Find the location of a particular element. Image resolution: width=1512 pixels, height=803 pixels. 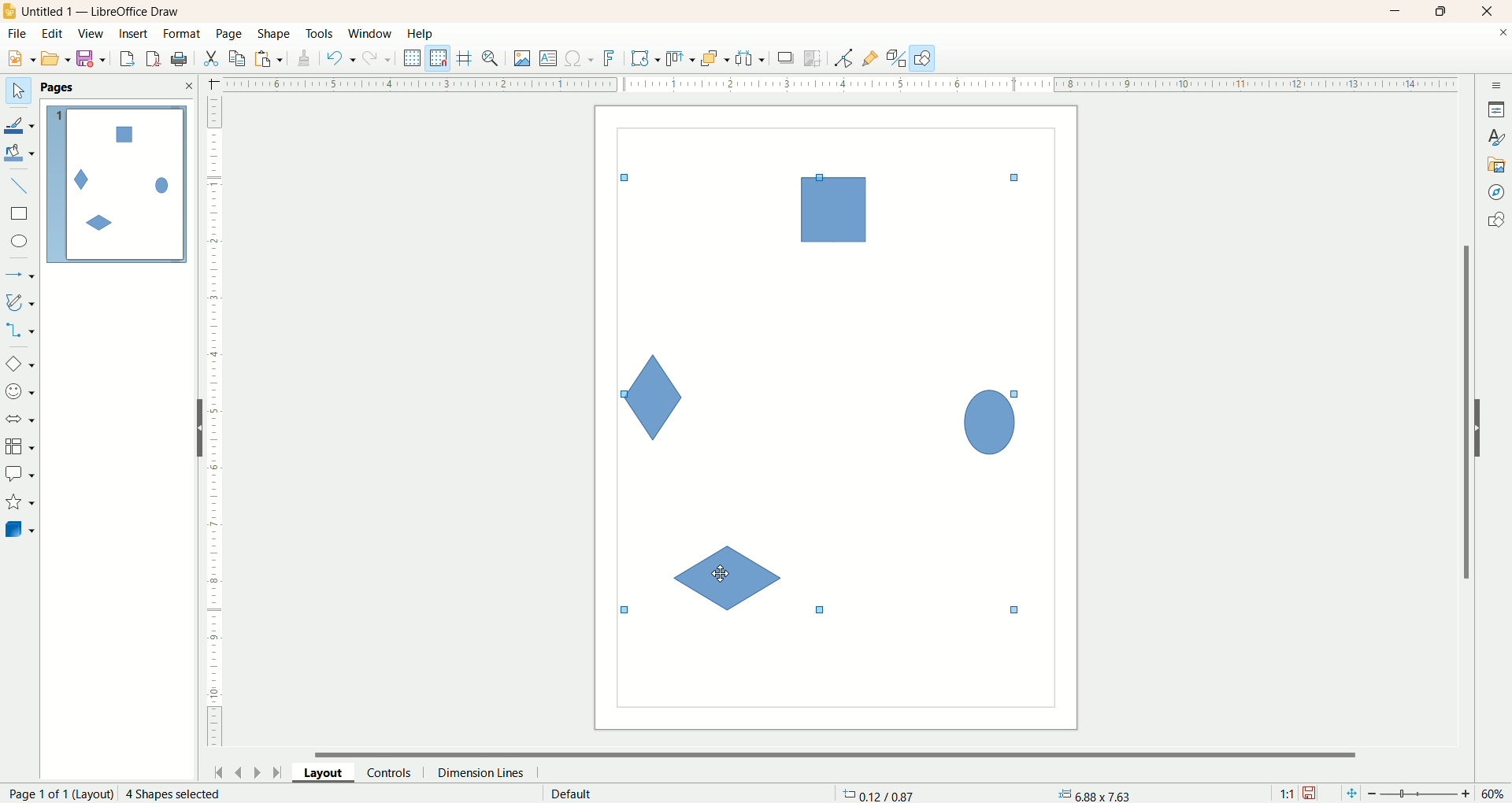

close is located at coordinates (1503, 35).